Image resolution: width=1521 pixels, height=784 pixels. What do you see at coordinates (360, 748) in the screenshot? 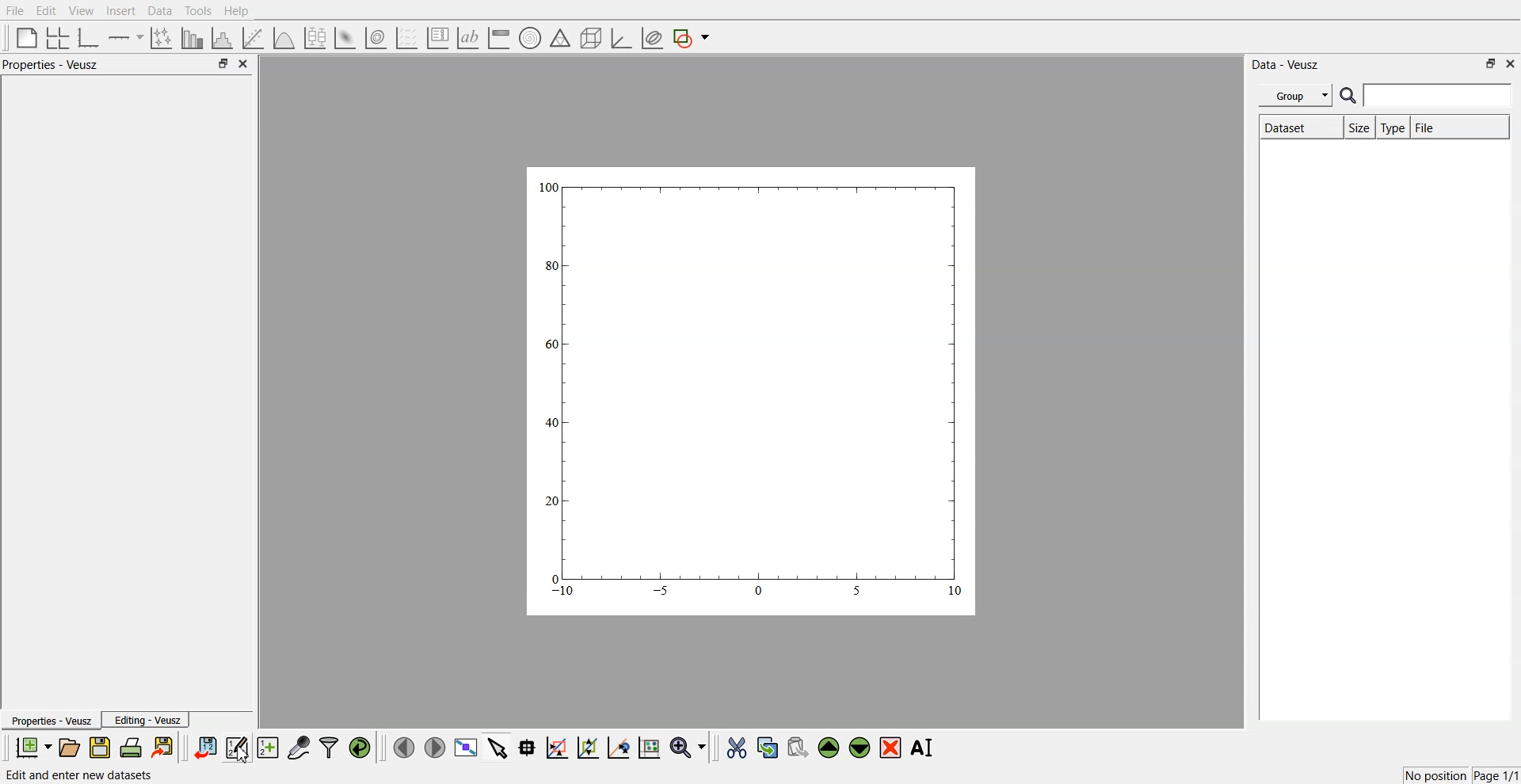
I see `reload the data points` at bounding box center [360, 748].